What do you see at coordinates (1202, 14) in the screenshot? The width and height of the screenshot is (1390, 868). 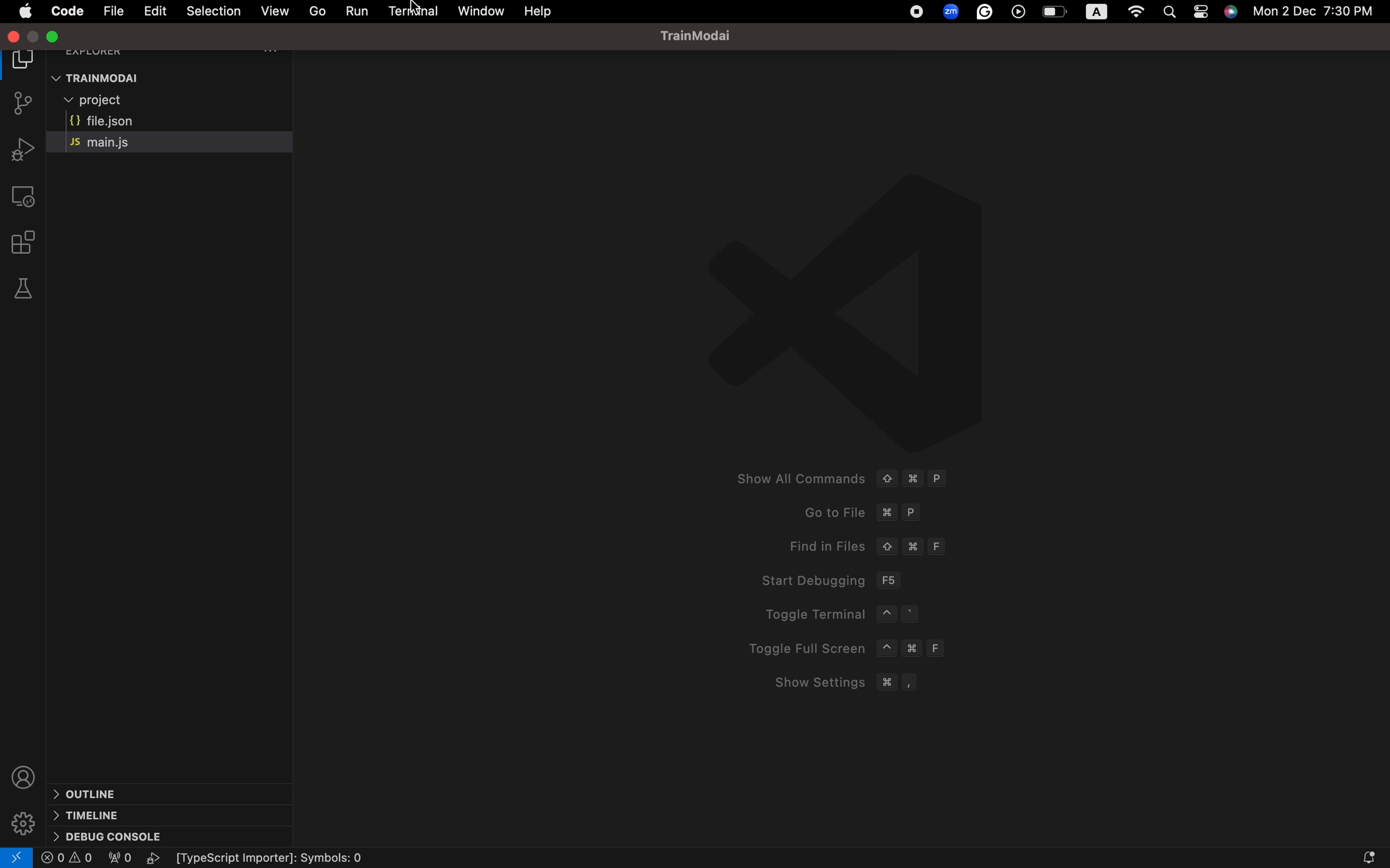 I see `Toggle` at bounding box center [1202, 14].